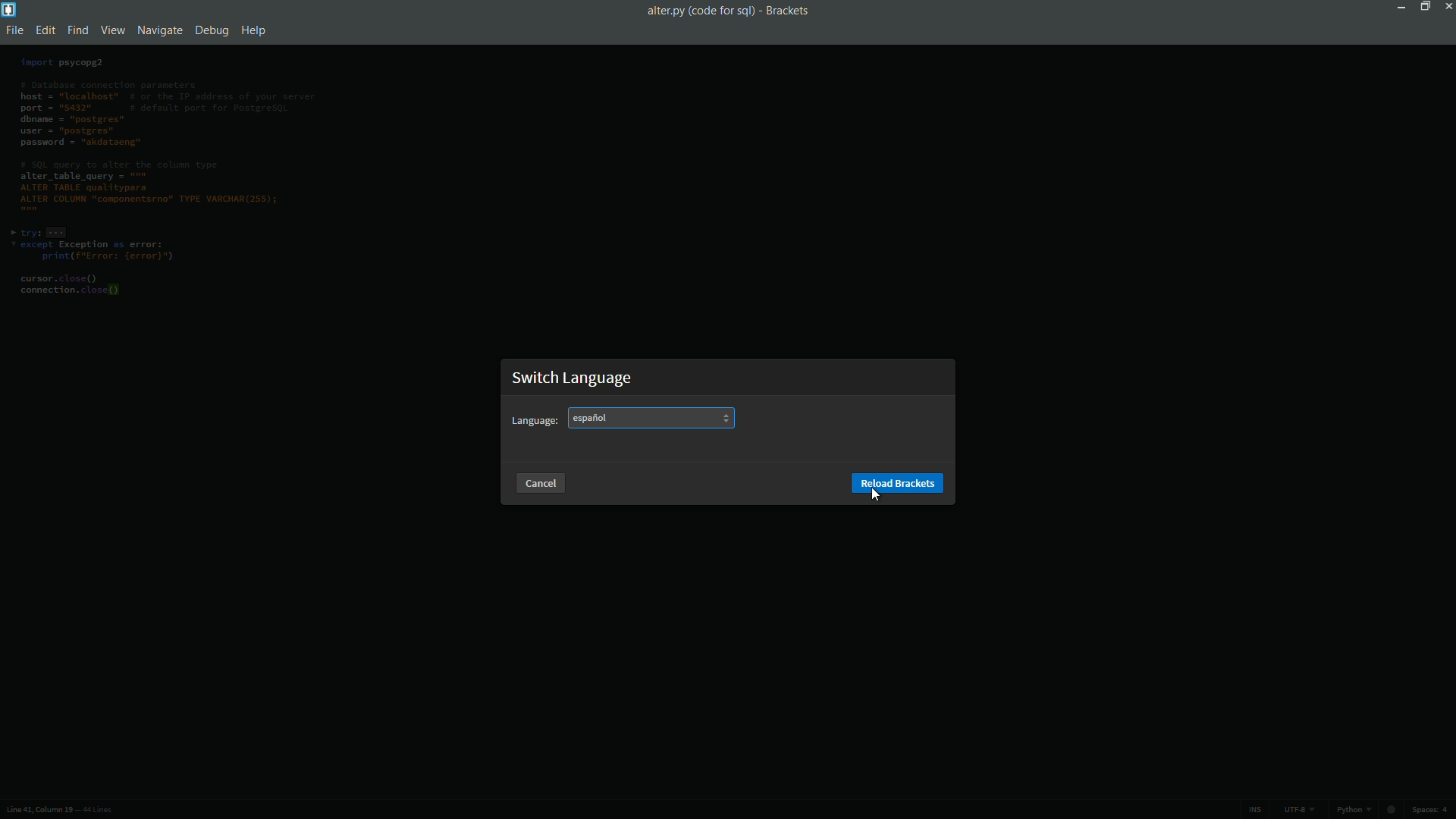 The width and height of the screenshot is (1456, 819). I want to click on cancel, so click(540, 484).